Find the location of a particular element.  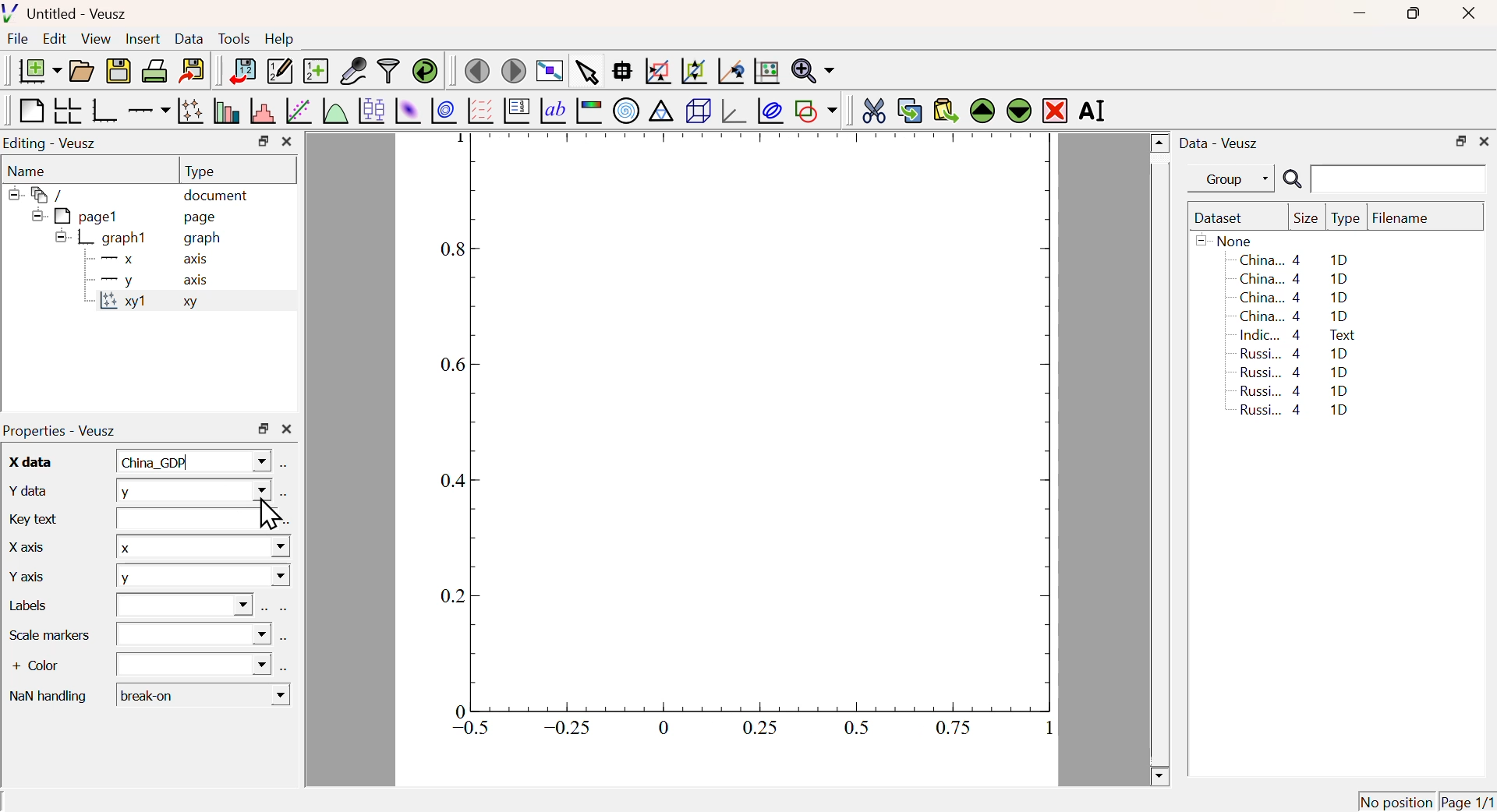

Plot points with lines and errorbars is located at coordinates (192, 111).